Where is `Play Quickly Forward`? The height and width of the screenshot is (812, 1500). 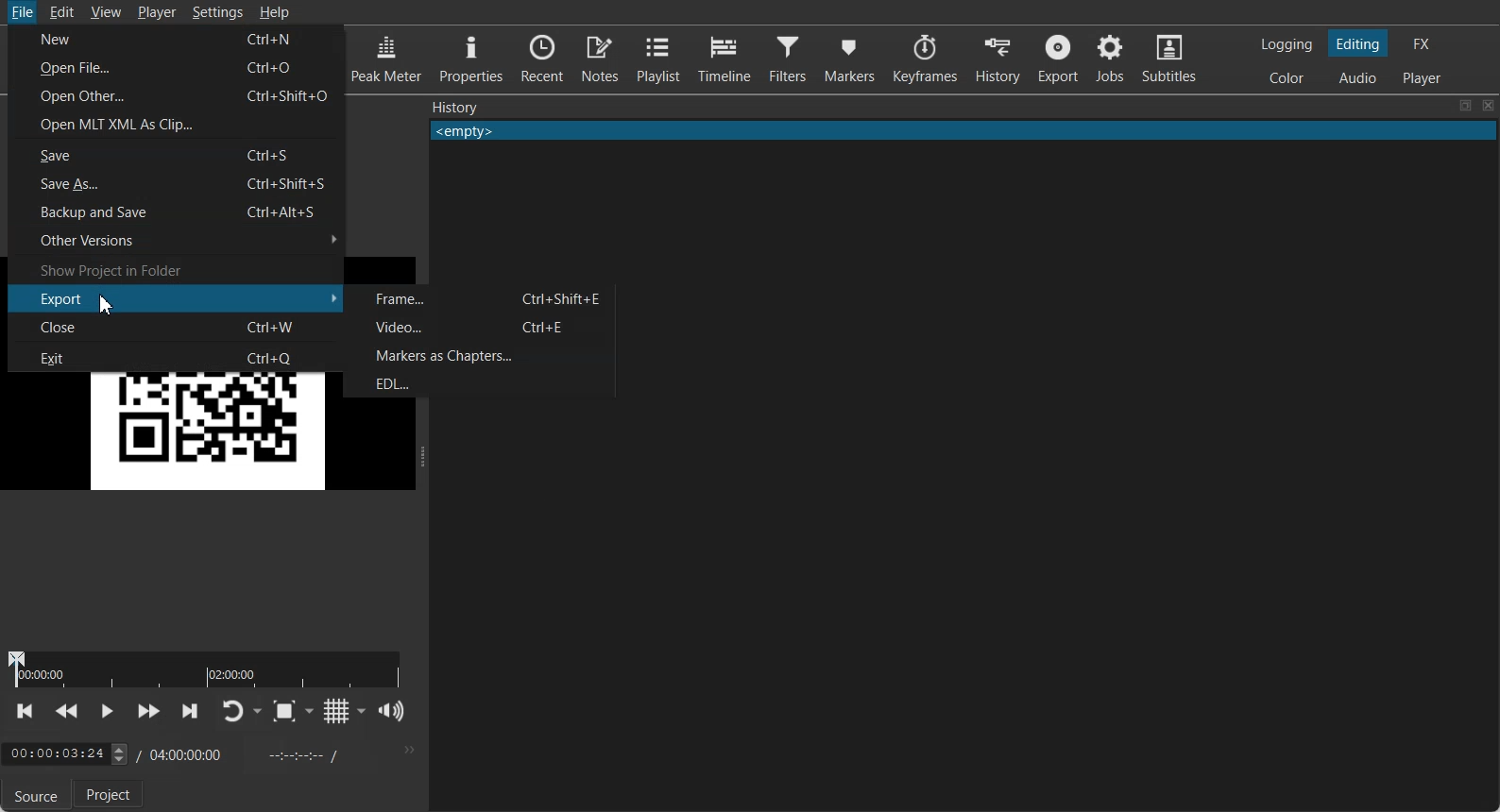 Play Quickly Forward is located at coordinates (148, 712).